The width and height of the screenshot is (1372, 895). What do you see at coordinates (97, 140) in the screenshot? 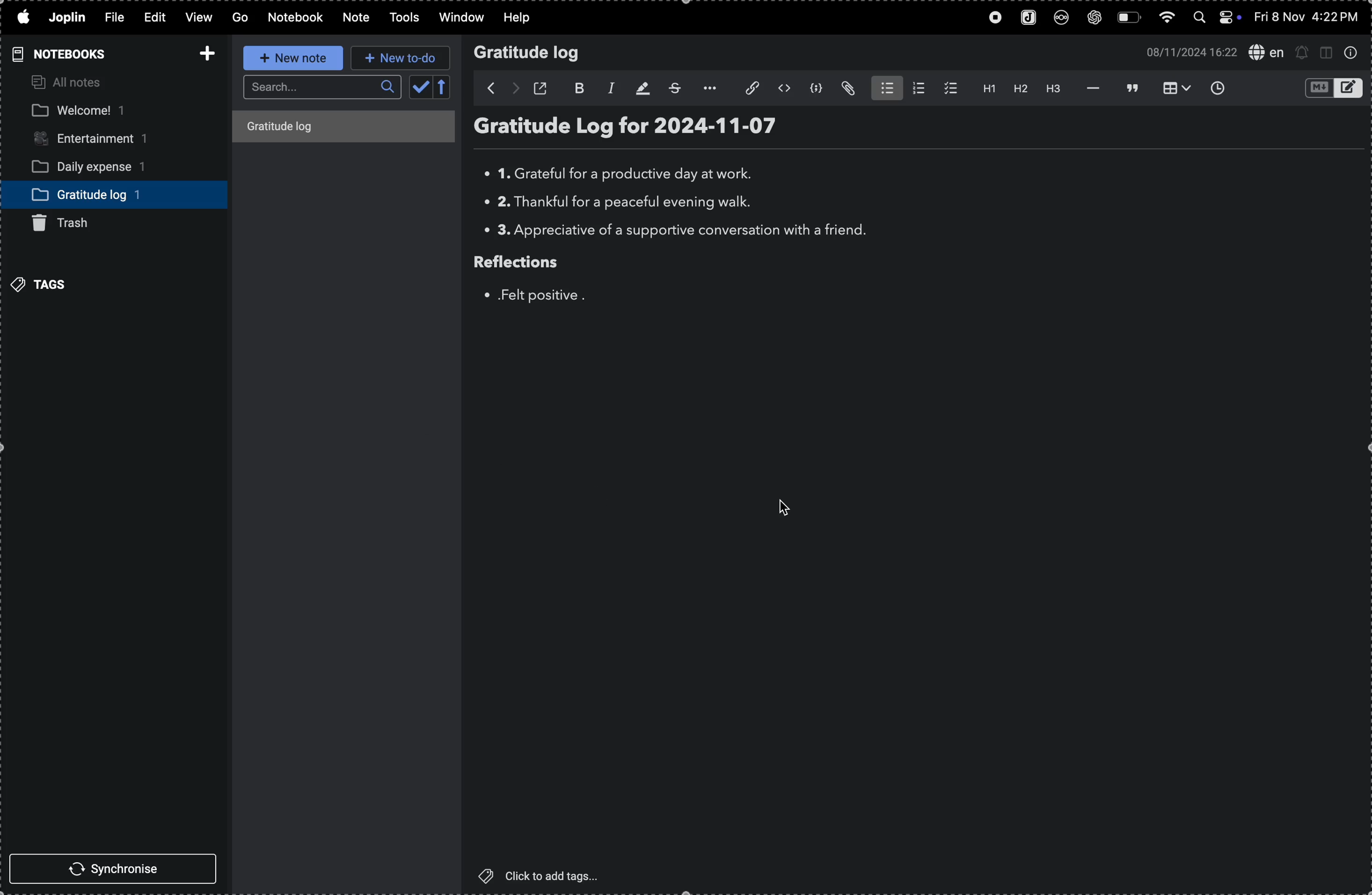
I see `entertainment` at bounding box center [97, 140].